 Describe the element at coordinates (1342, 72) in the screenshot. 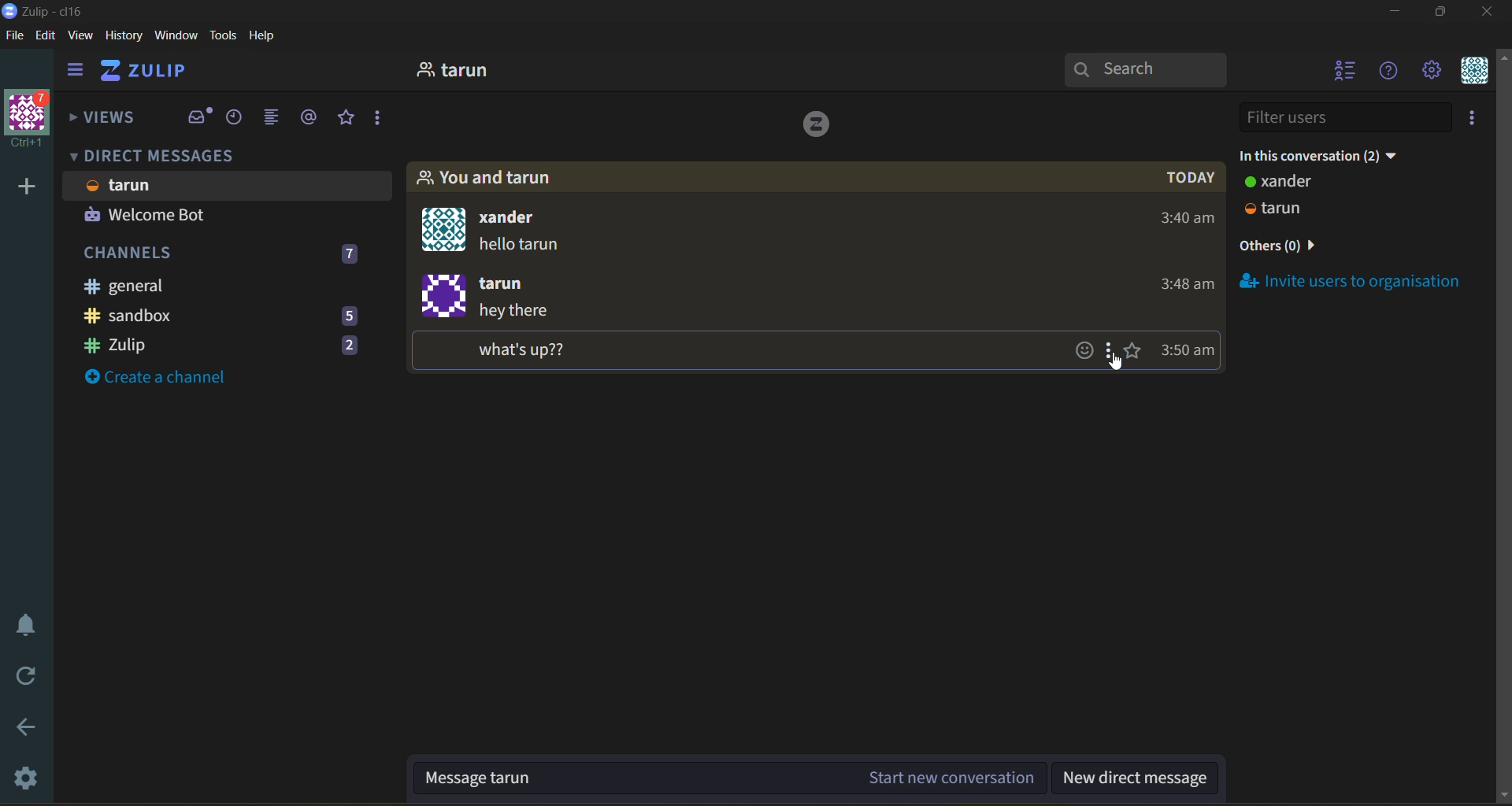

I see `hide user list` at that location.